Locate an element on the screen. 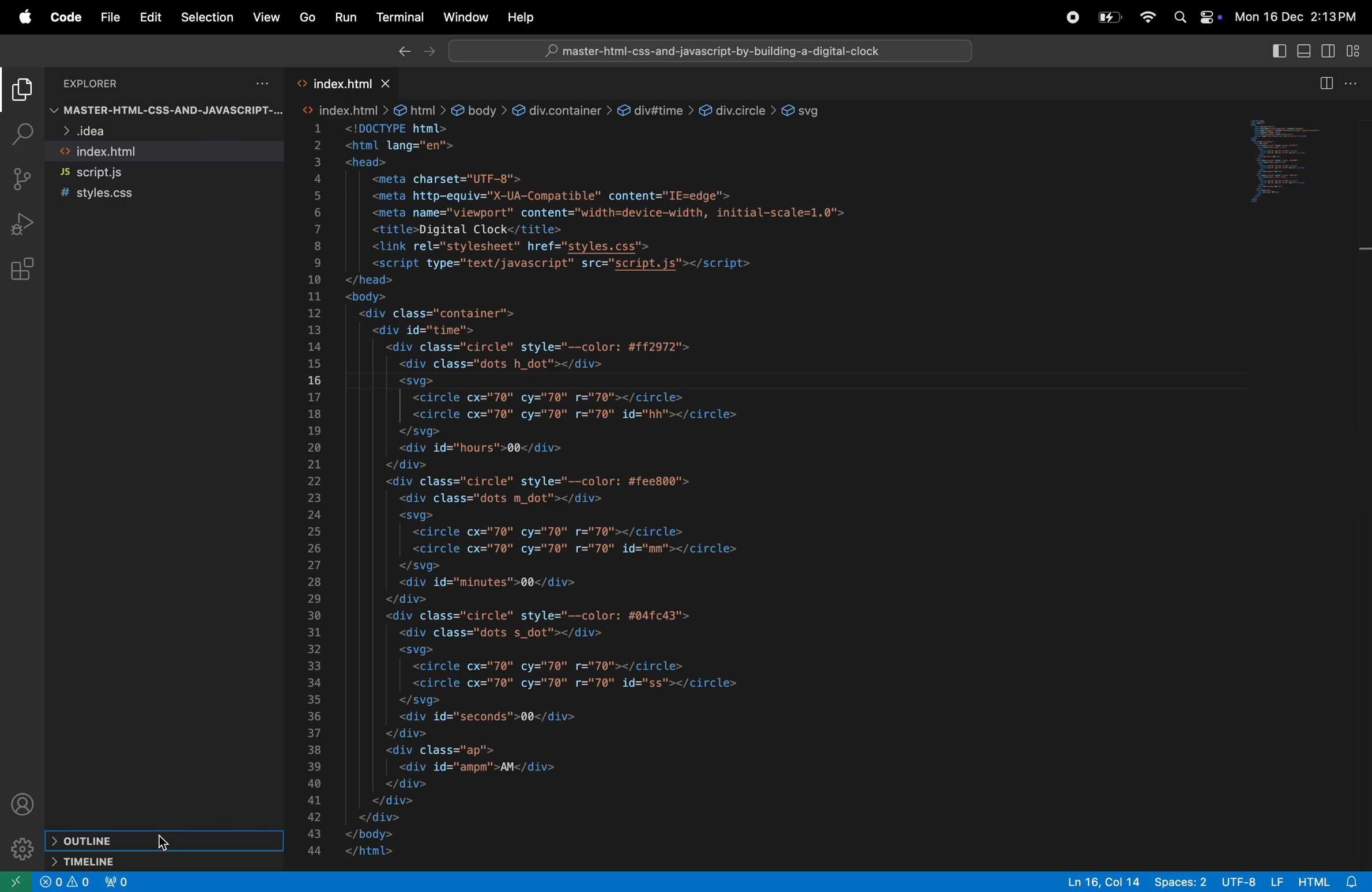 The width and height of the screenshot is (1372, 892). source control is located at coordinates (22, 179).